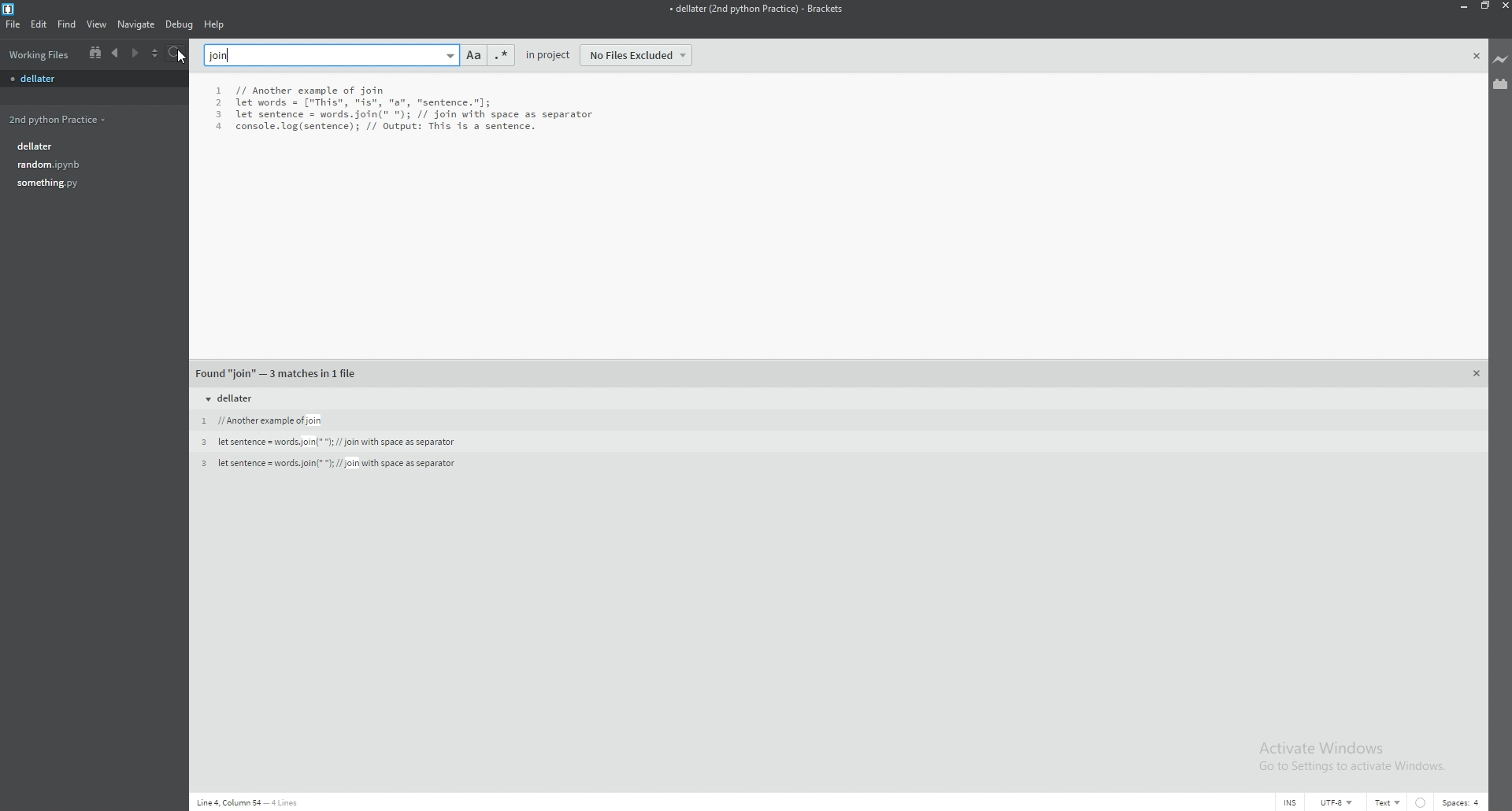 Image resolution: width=1512 pixels, height=811 pixels. What do you see at coordinates (180, 26) in the screenshot?
I see `debug` at bounding box center [180, 26].